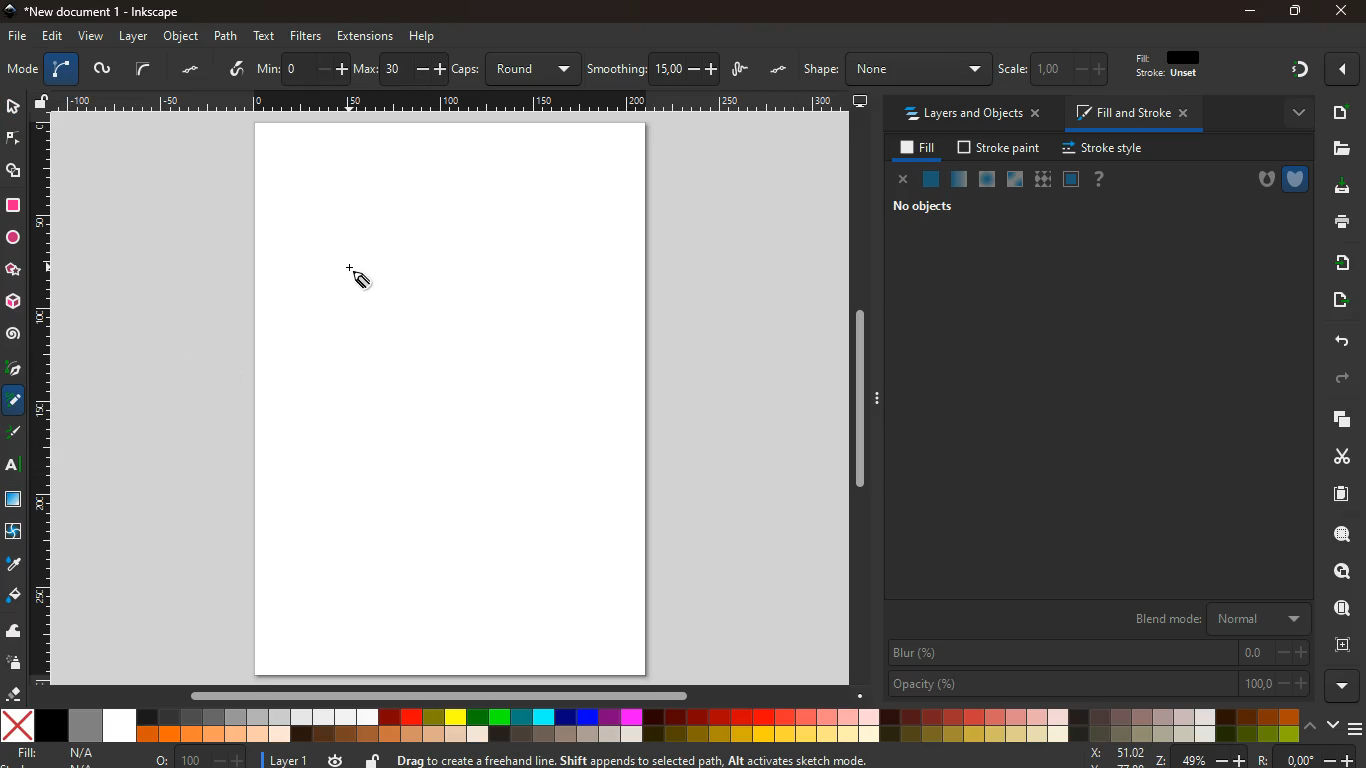  Describe the element at coordinates (228, 35) in the screenshot. I see `path` at that location.